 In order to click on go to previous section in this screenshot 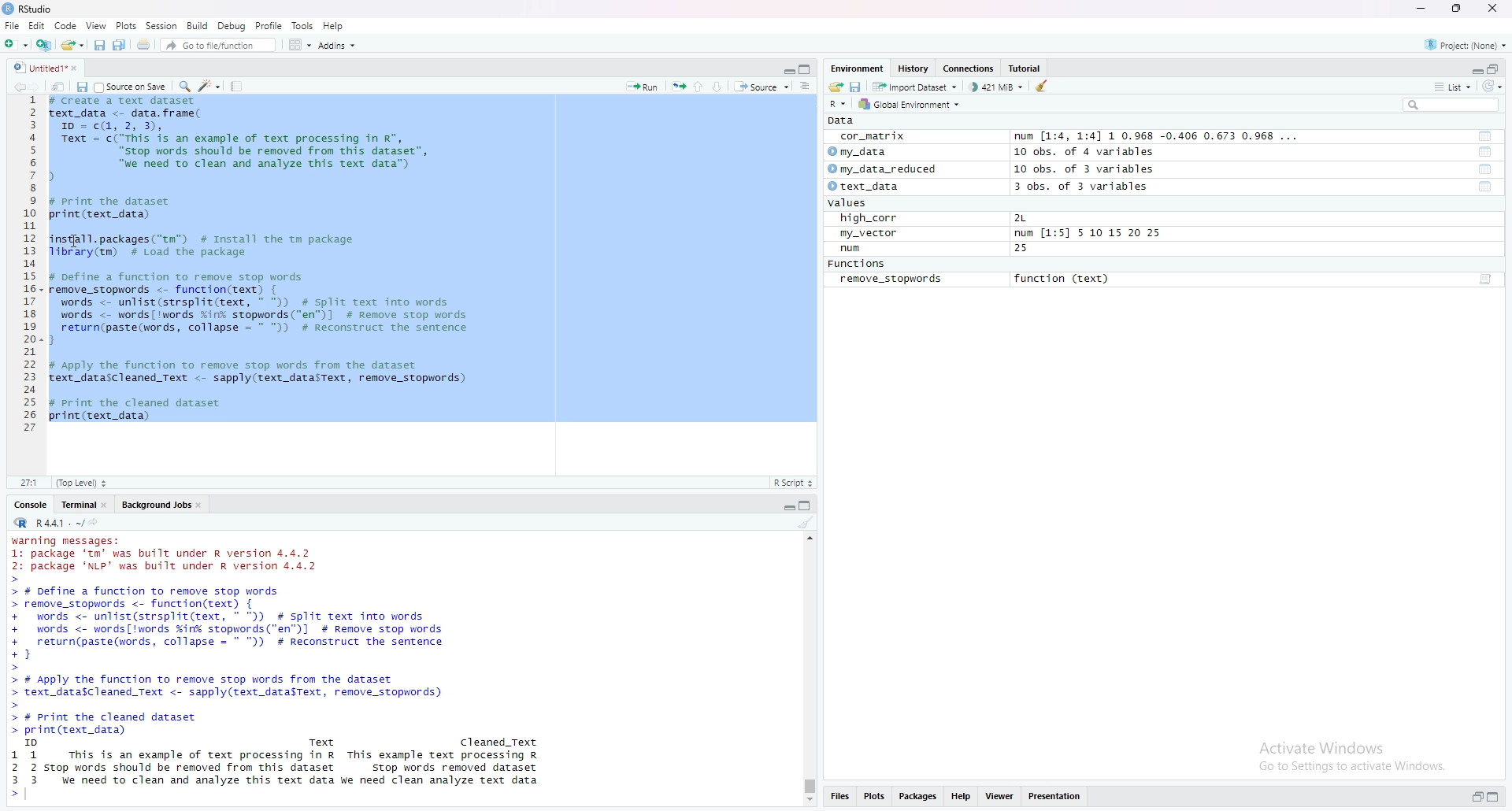, I will do `click(700, 85)`.